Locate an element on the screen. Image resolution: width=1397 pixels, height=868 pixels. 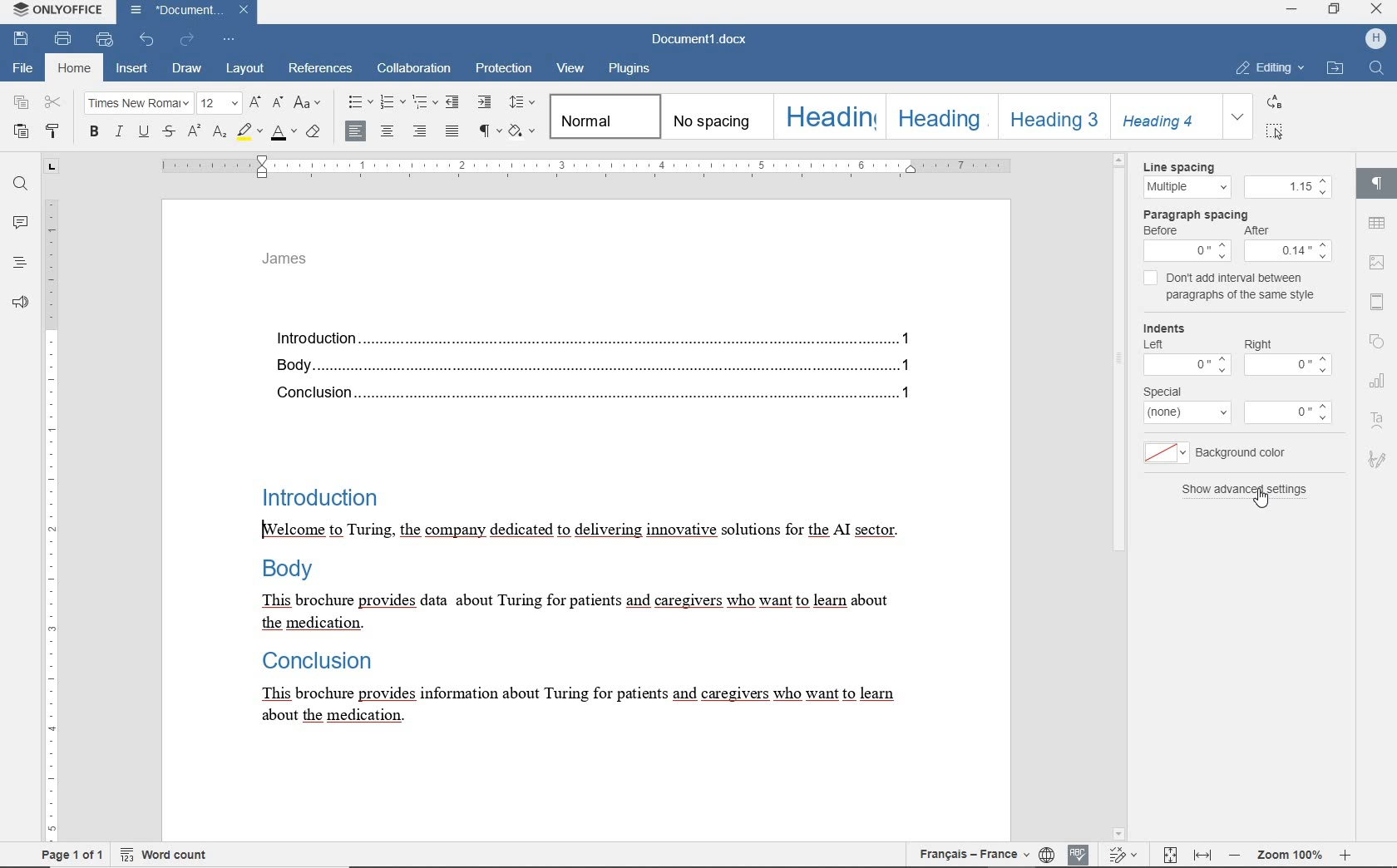
copy style is located at coordinates (52, 131).